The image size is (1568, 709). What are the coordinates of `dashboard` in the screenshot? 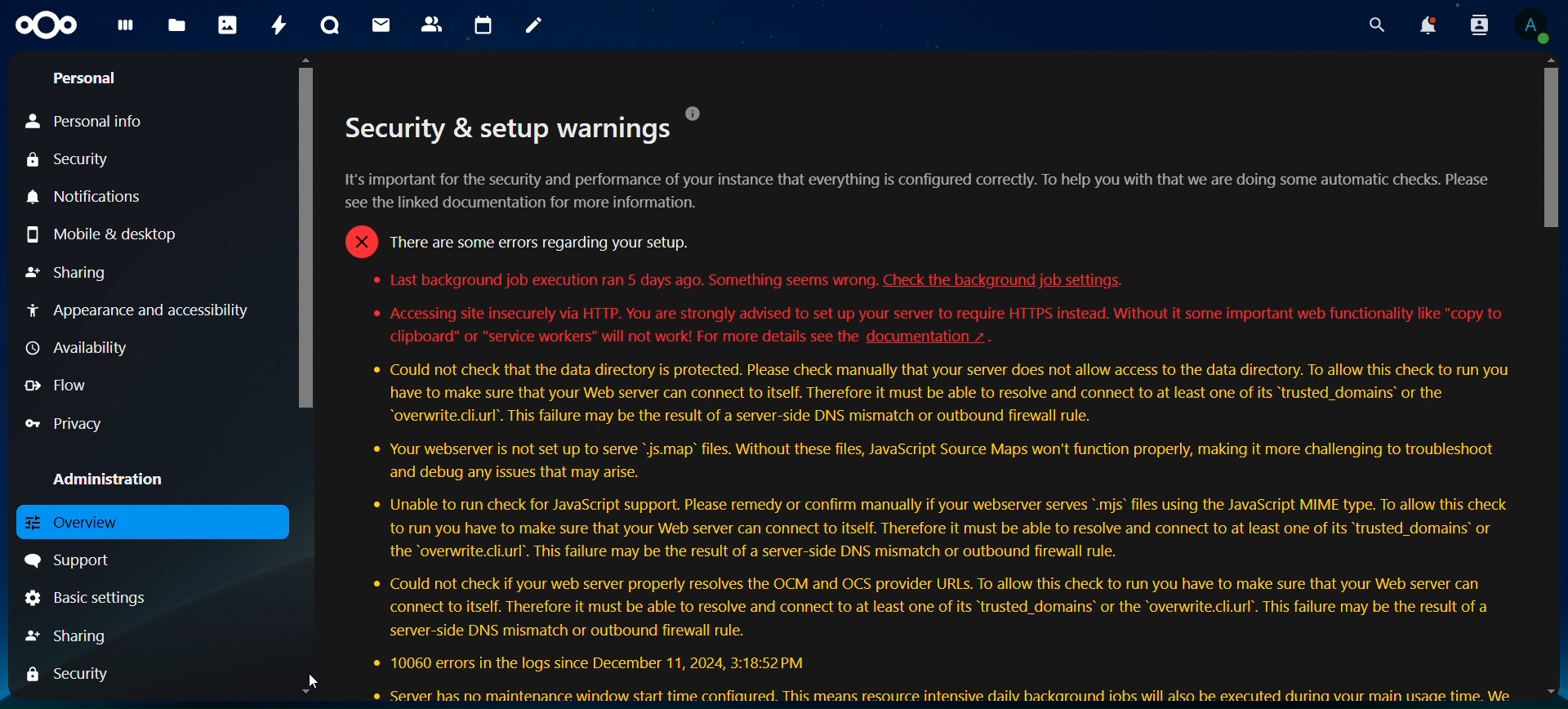 It's located at (126, 30).